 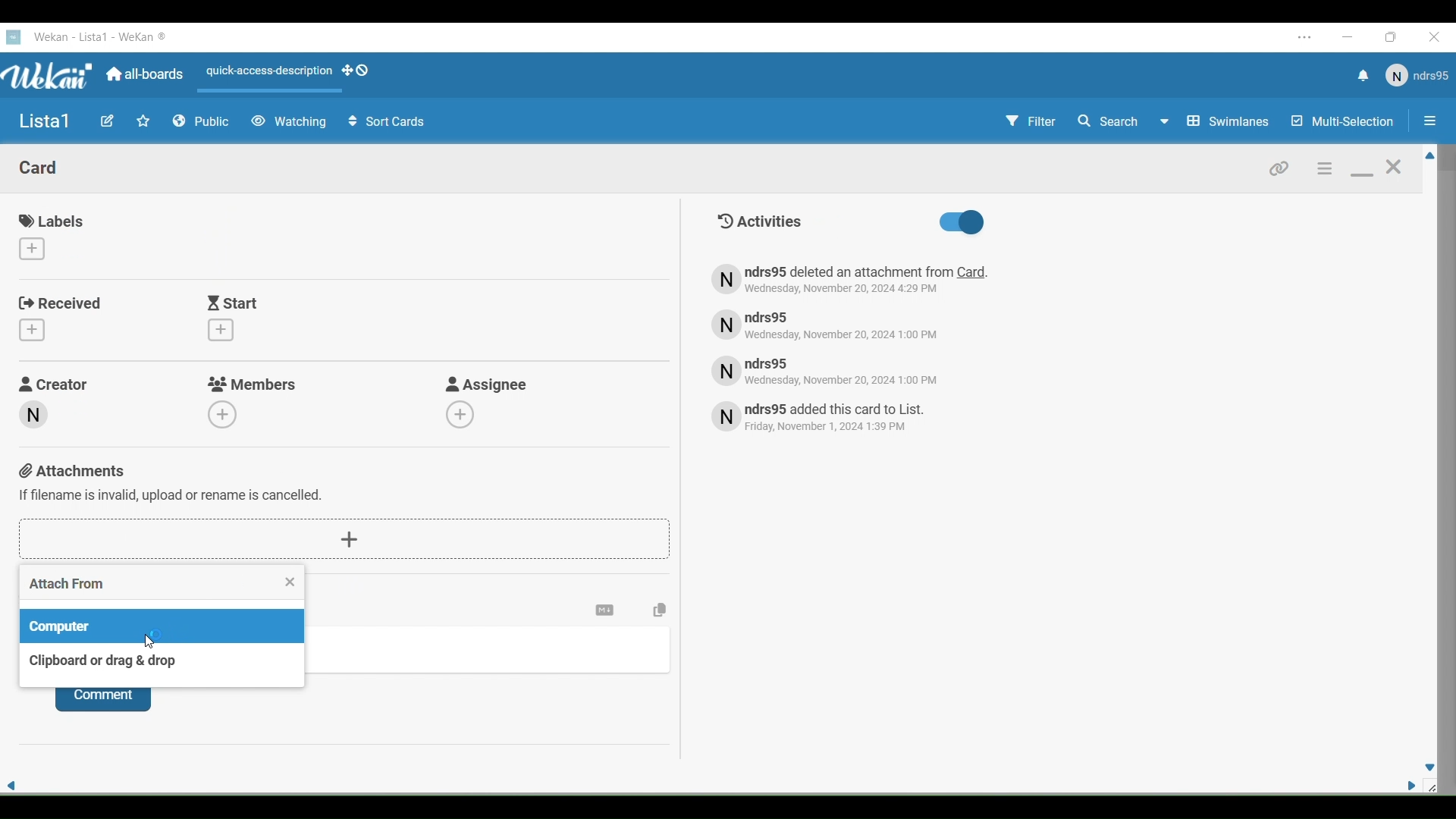 I want to click on Add labbels, so click(x=31, y=249).